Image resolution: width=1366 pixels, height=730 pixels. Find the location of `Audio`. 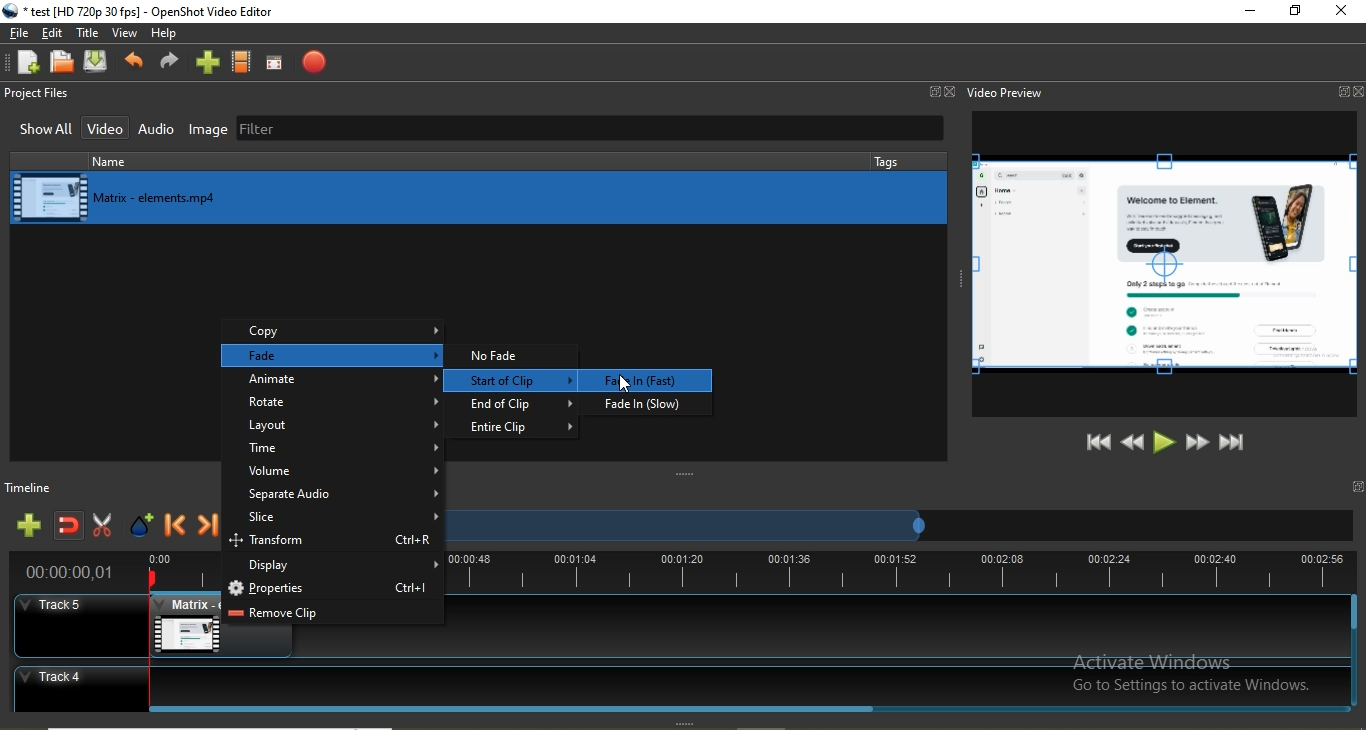

Audio is located at coordinates (158, 130).